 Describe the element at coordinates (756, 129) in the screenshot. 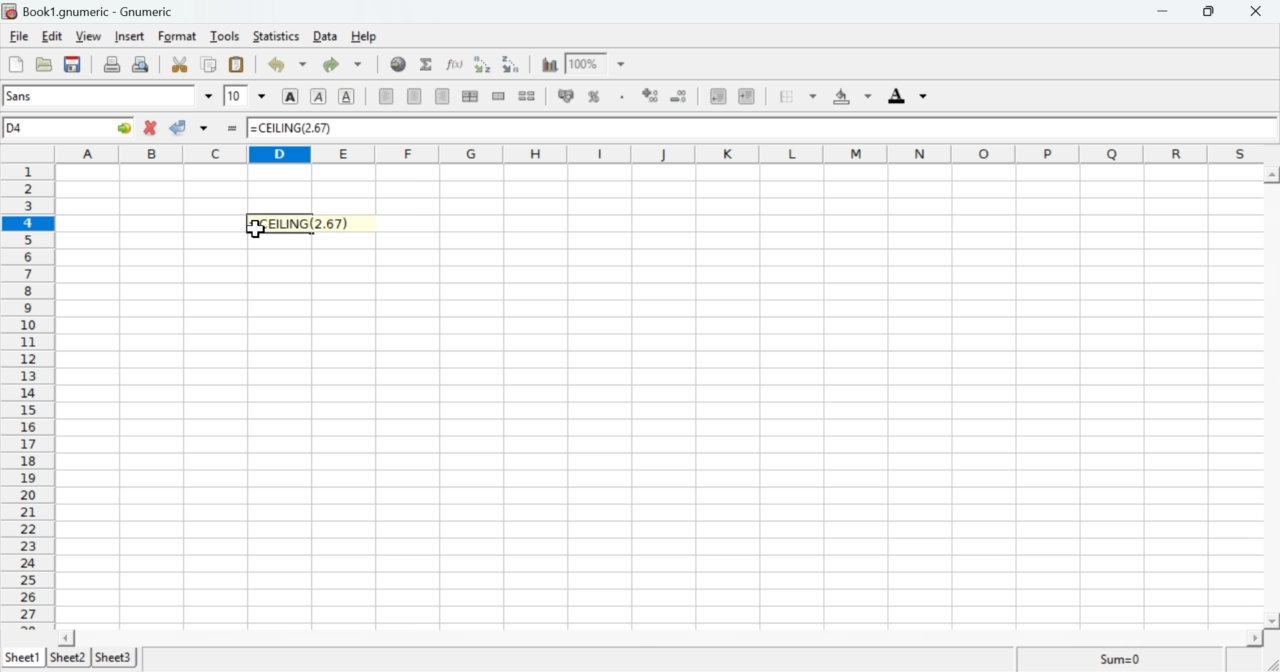

I see `Contents of  the active cell` at that location.